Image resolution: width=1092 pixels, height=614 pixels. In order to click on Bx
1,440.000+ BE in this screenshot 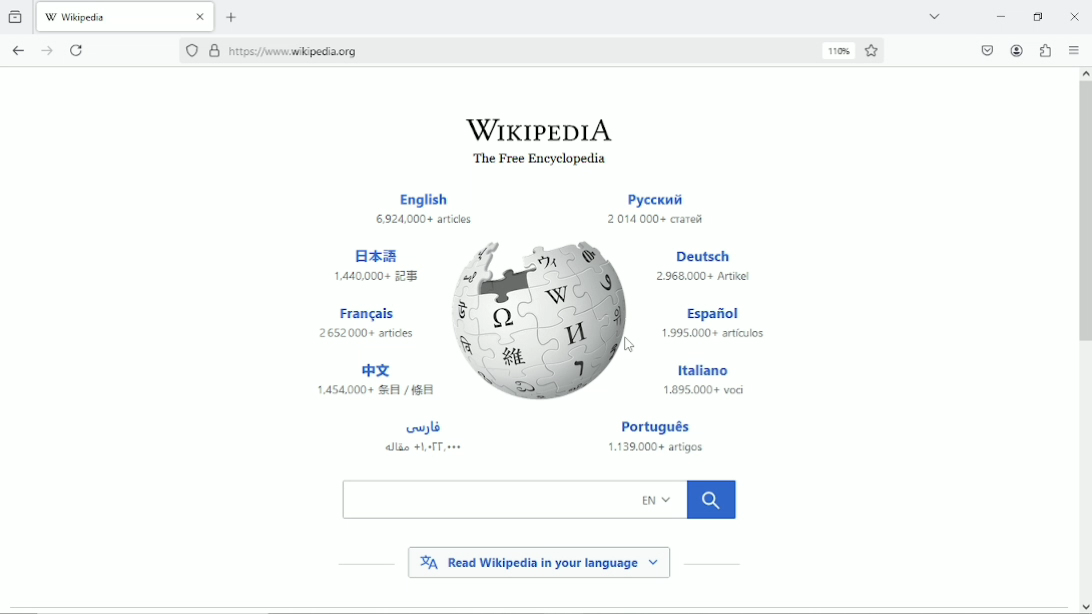, I will do `click(380, 263)`.